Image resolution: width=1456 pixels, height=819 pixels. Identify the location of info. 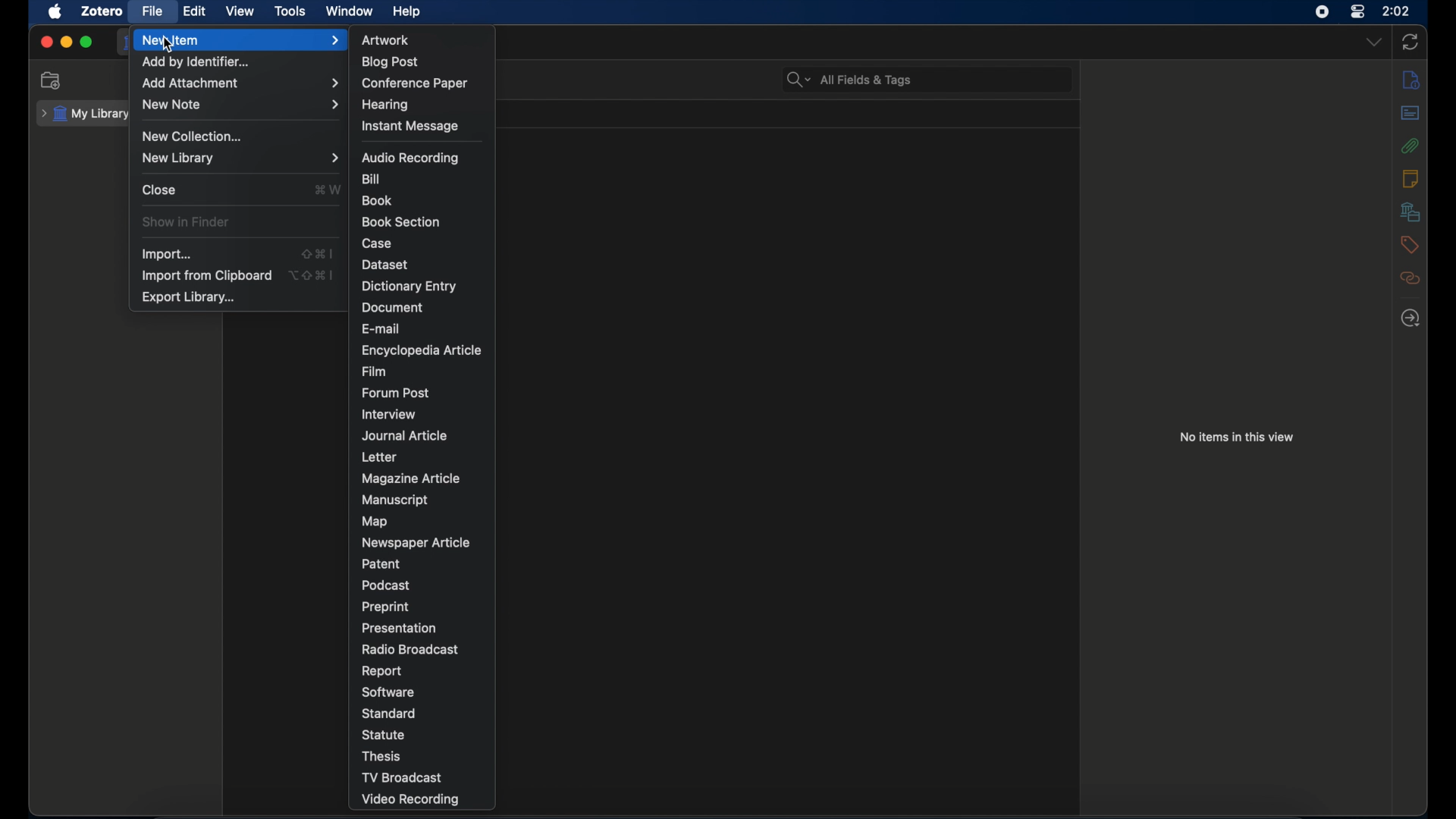
(1412, 79).